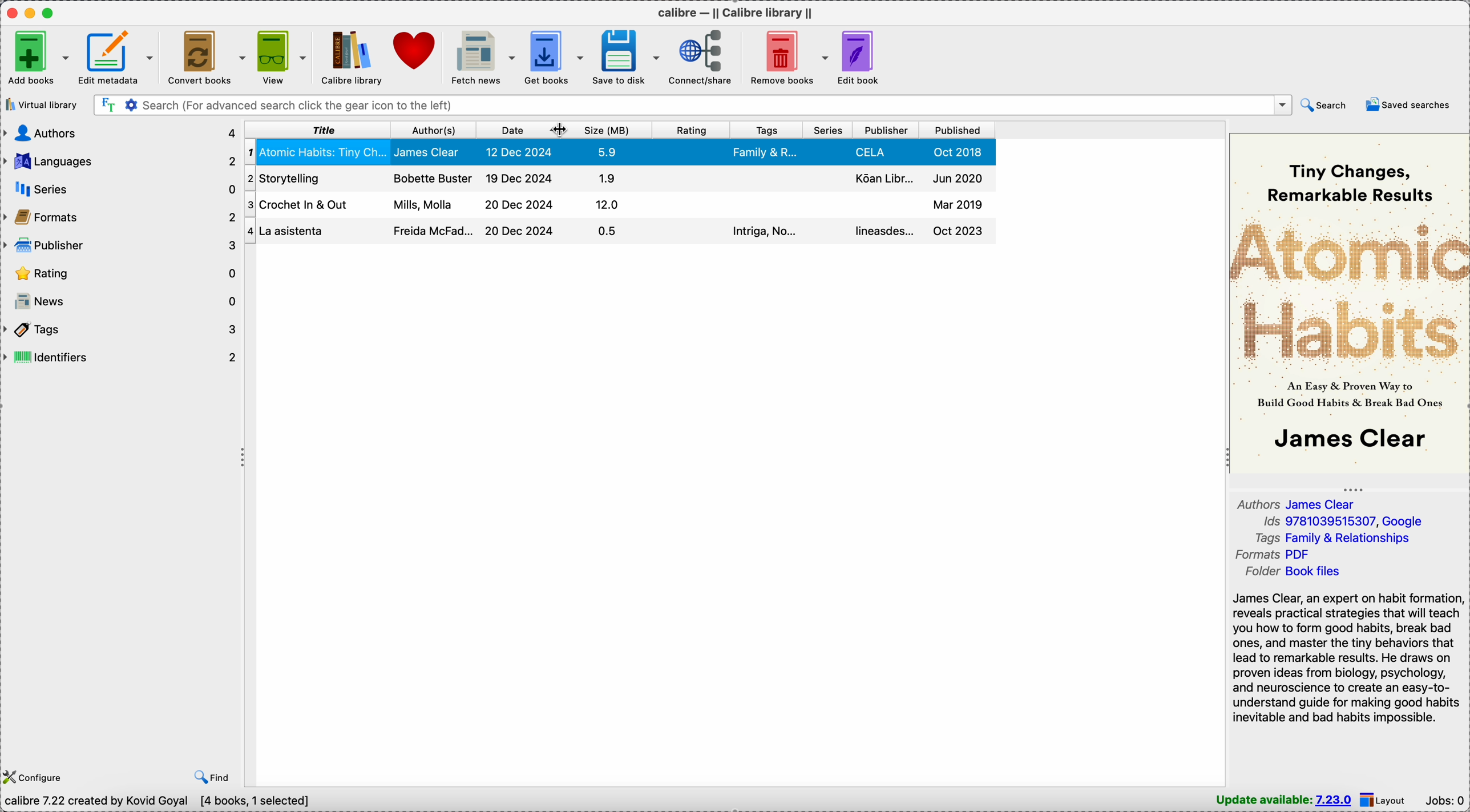 Image resolution: width=1470 pixels, height=812 pixels. What do you see at coordinates (613, 205) in the screenshot?
I see `La Asistentaa book details` at bounding box center [613, 205].